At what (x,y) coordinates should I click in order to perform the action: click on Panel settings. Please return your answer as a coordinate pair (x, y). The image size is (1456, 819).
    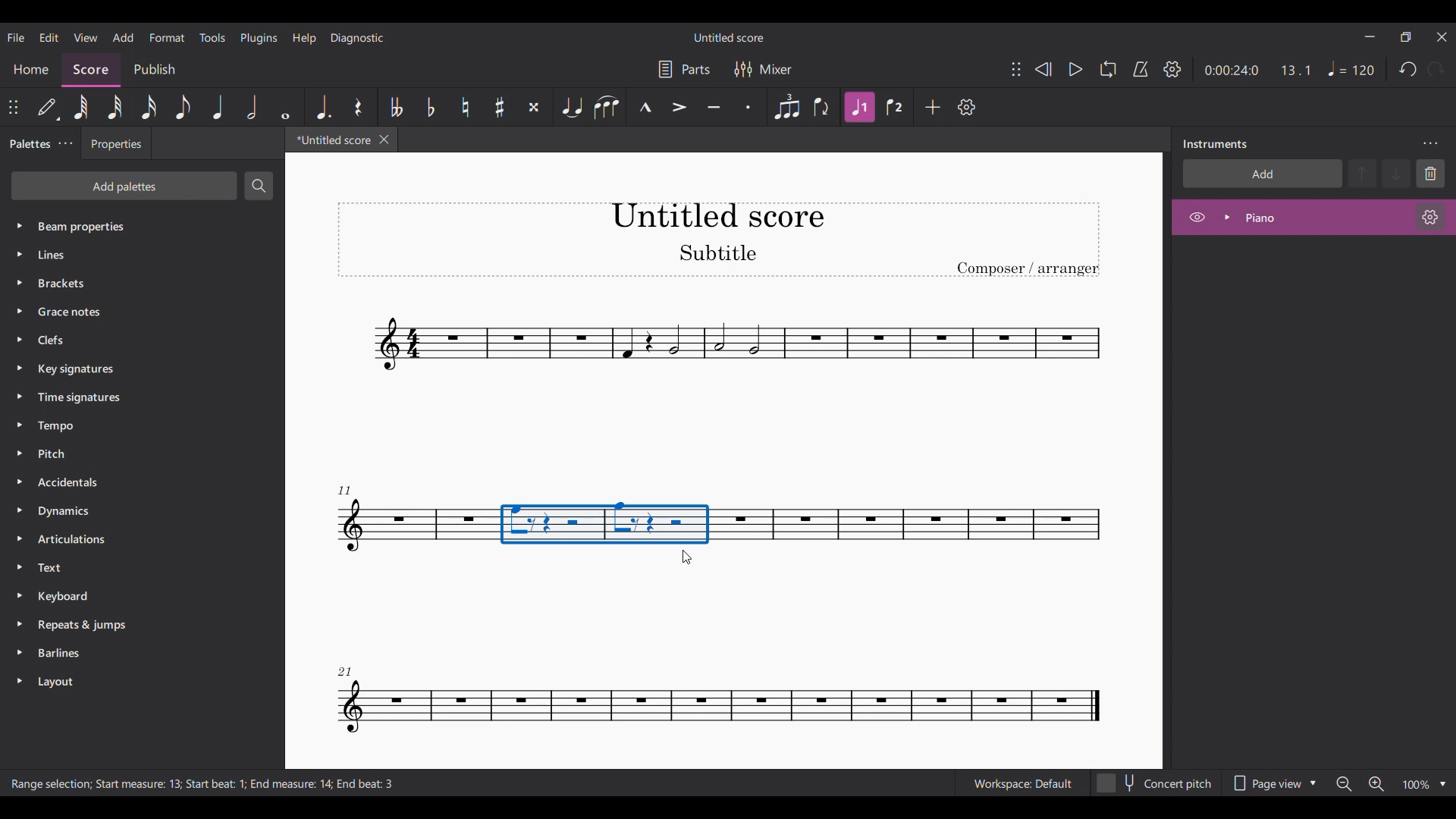
    Looking at the image, I should click on (1430, 144).